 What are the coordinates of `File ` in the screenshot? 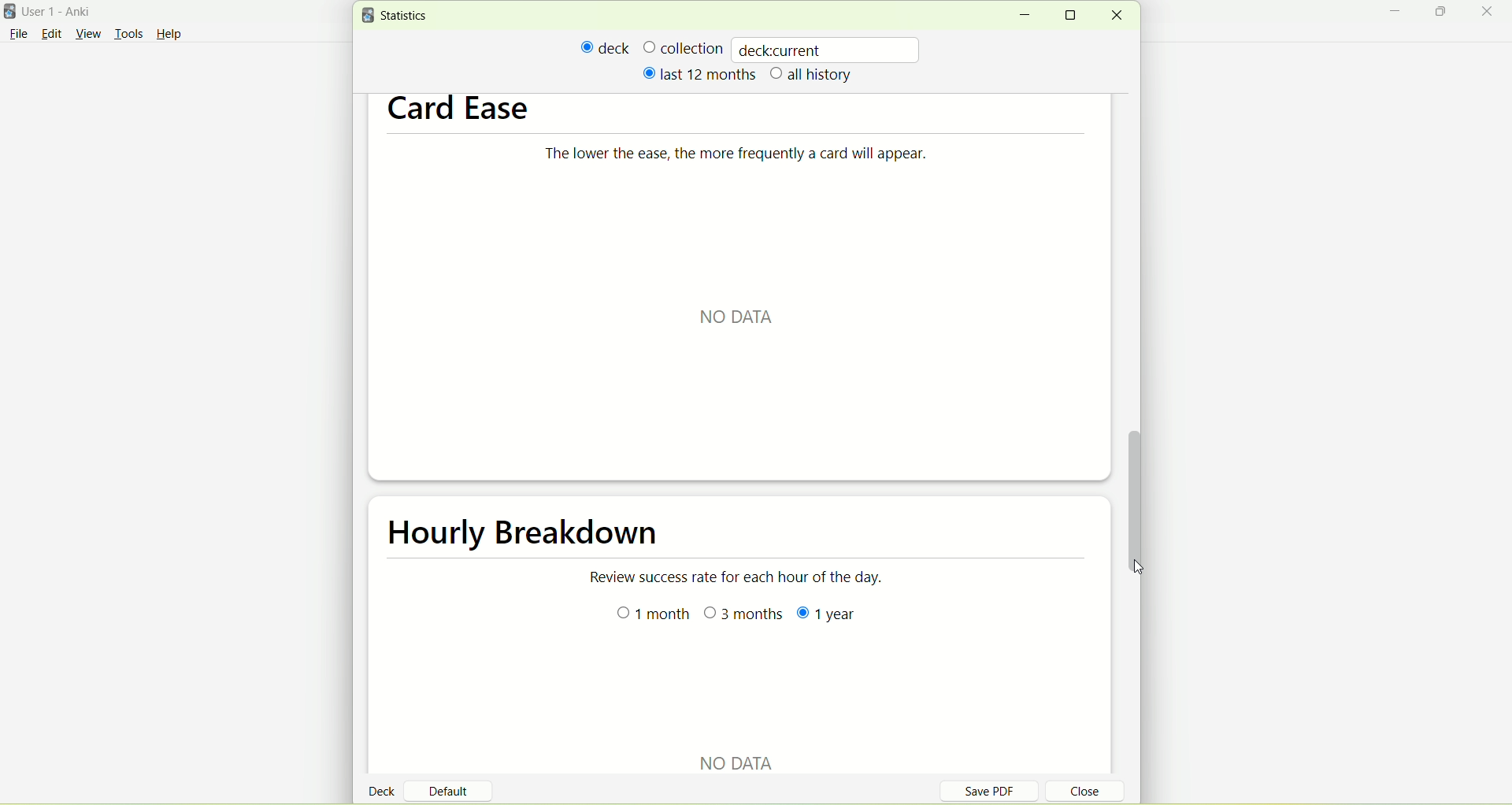 It's located at (18, 34).